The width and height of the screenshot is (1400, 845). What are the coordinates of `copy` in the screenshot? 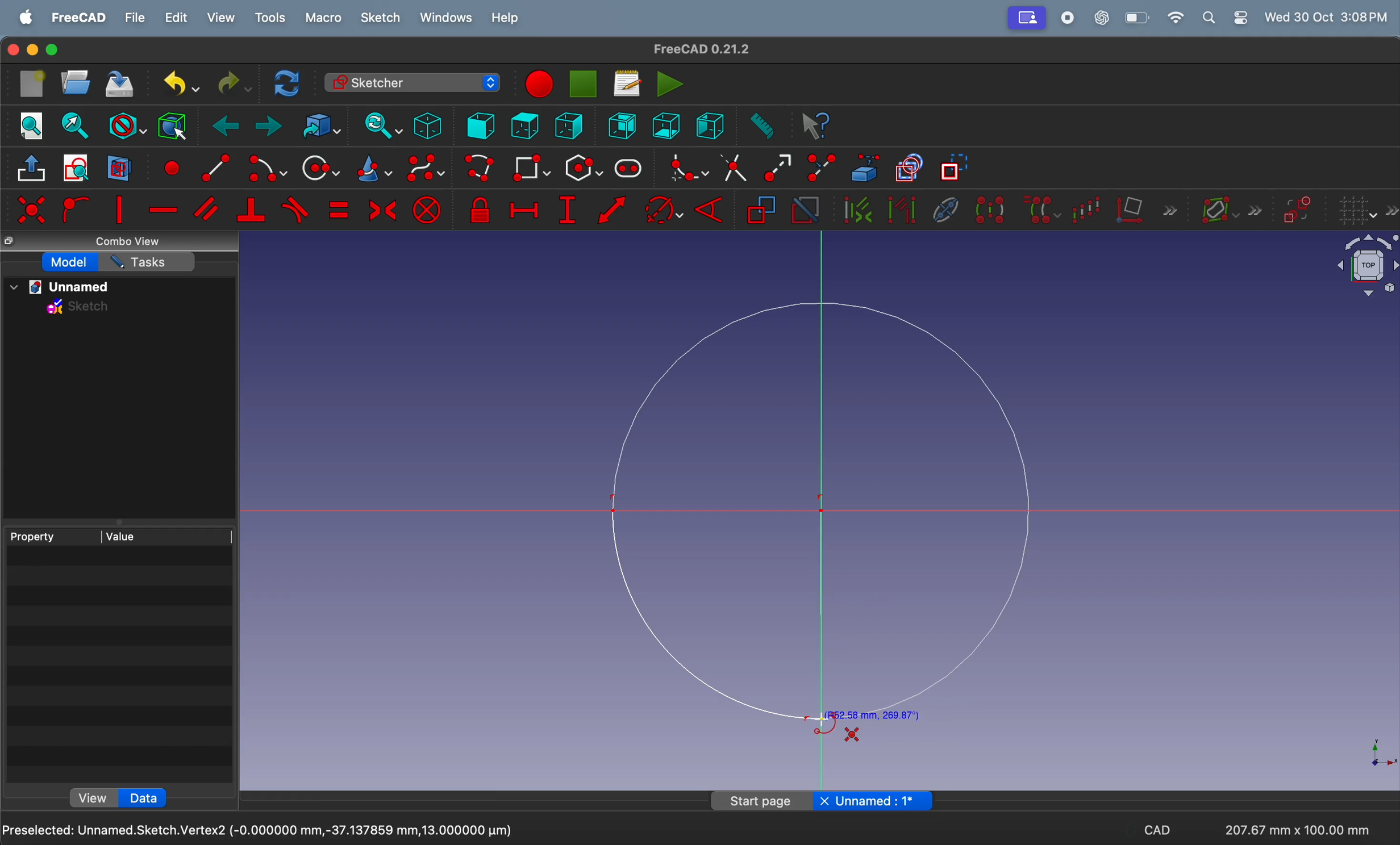 It's located at (11, 242).